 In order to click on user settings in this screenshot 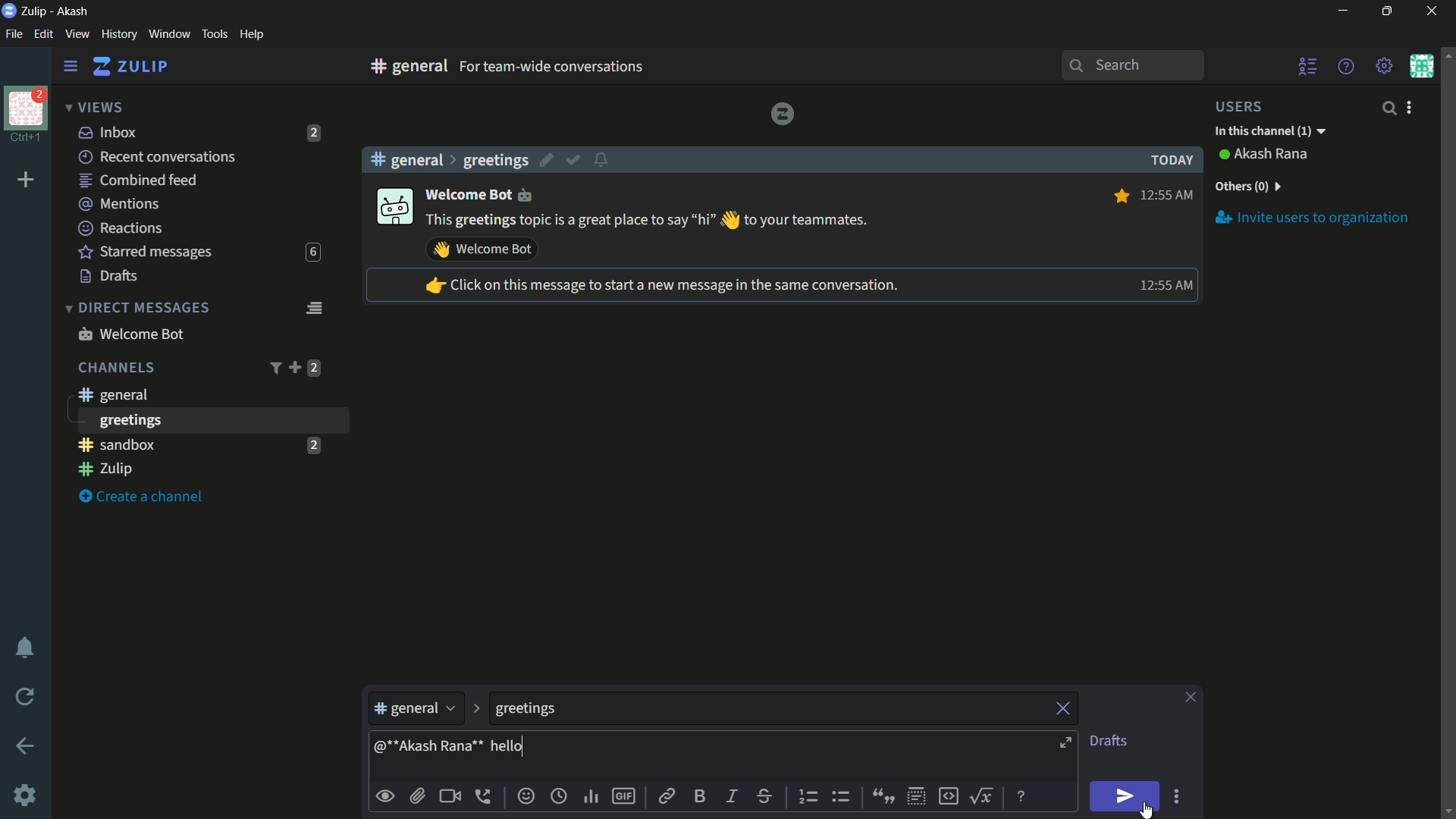, I will do `click(1412, 107)`.